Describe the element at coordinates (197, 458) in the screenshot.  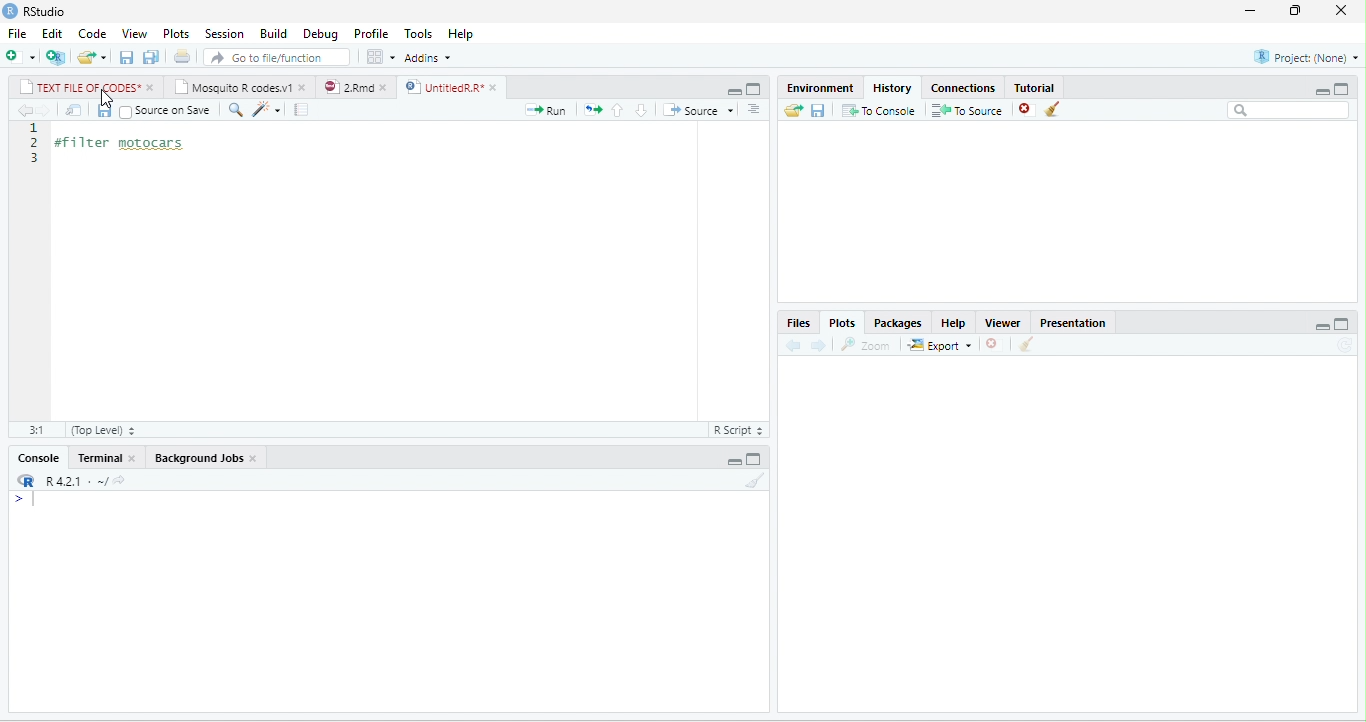
I see `Background Jobs` at that location.